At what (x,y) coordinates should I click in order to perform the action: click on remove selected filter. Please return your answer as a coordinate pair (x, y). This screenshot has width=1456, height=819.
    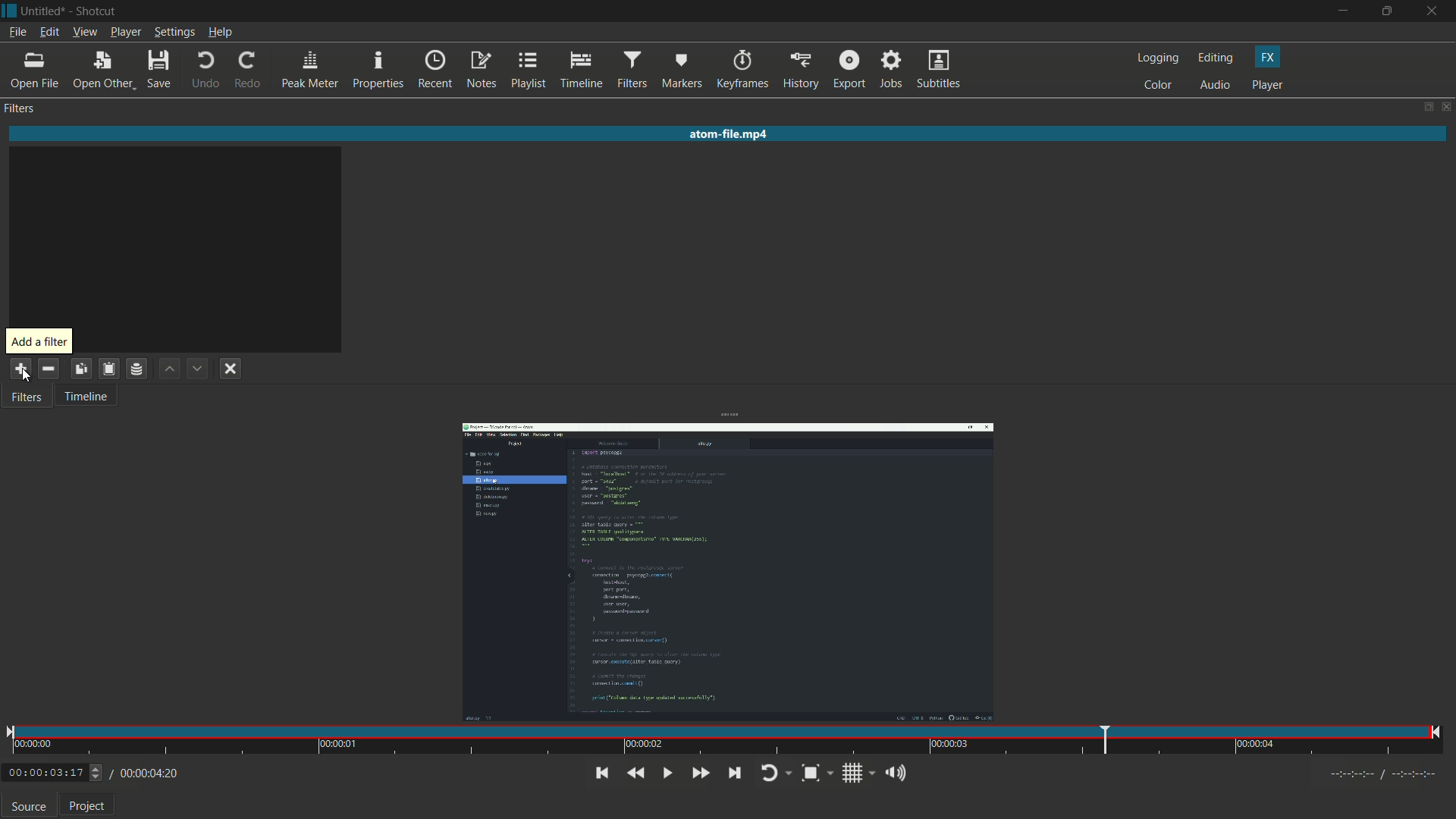
    Looking at the image, I should click on (49, 369).